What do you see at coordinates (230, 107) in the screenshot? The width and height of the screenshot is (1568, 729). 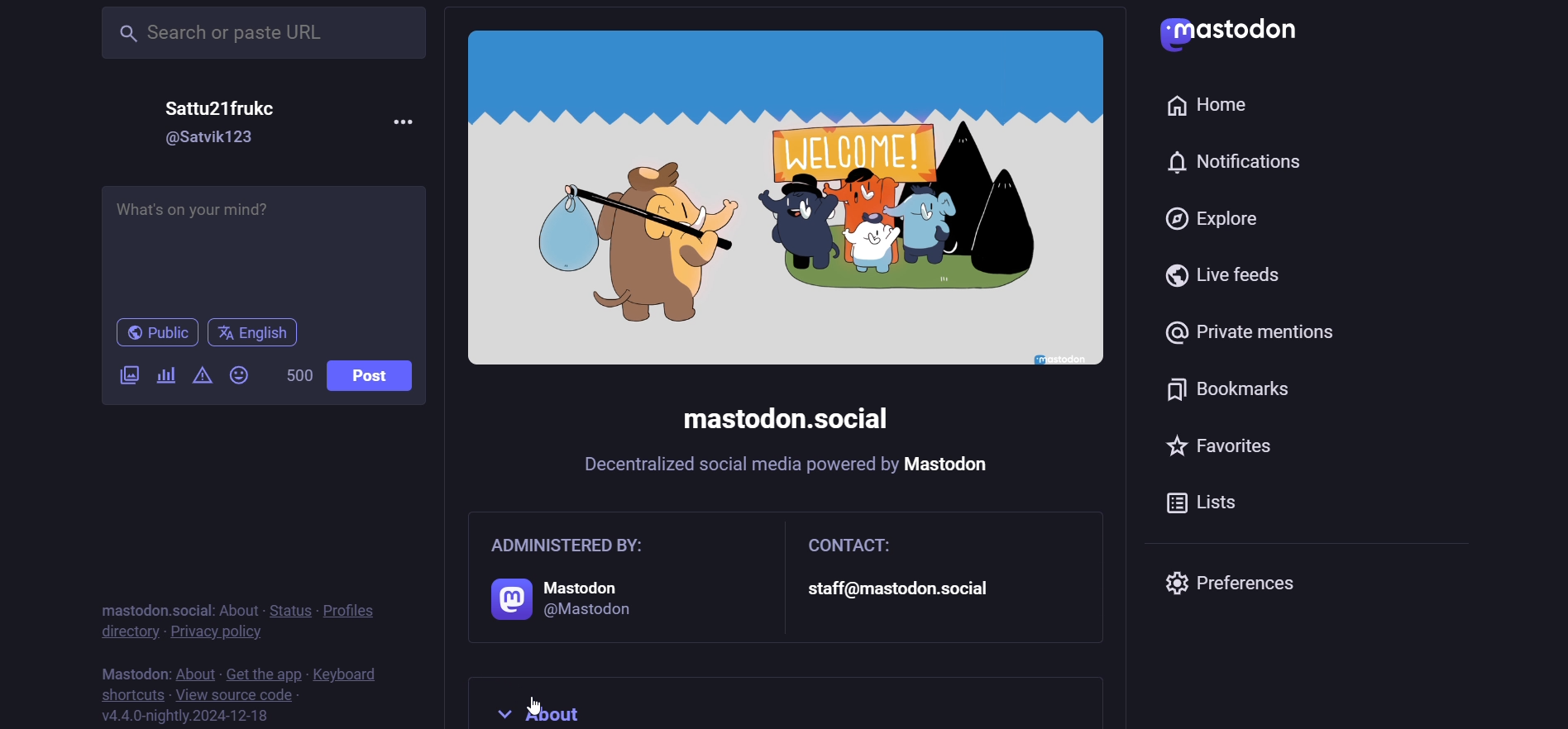 I see `name` at bounding box center [230, 107].